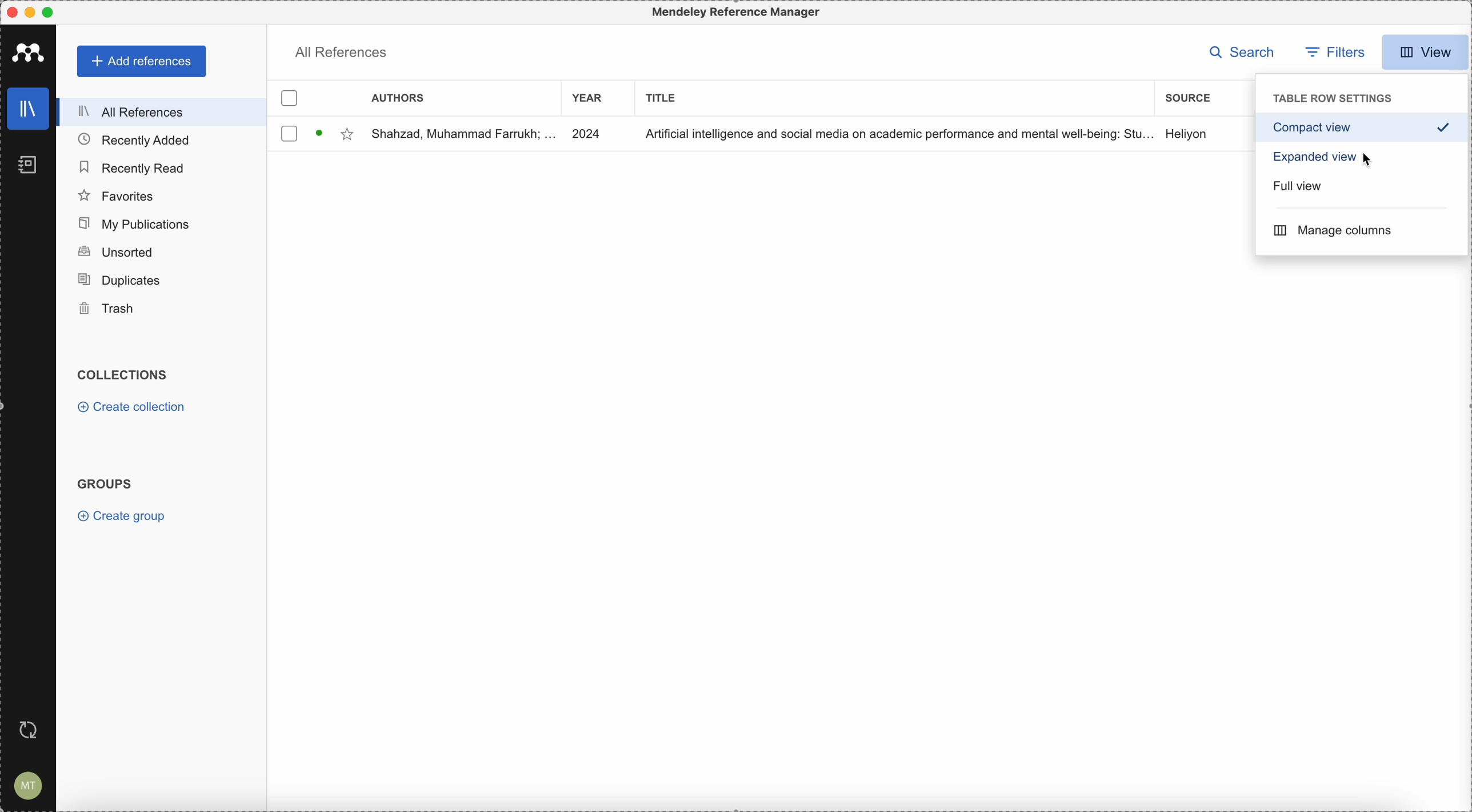  What do you see at coordinates (663, 99) in the screenshot?
I see `title` at bounding box center [663, 99].